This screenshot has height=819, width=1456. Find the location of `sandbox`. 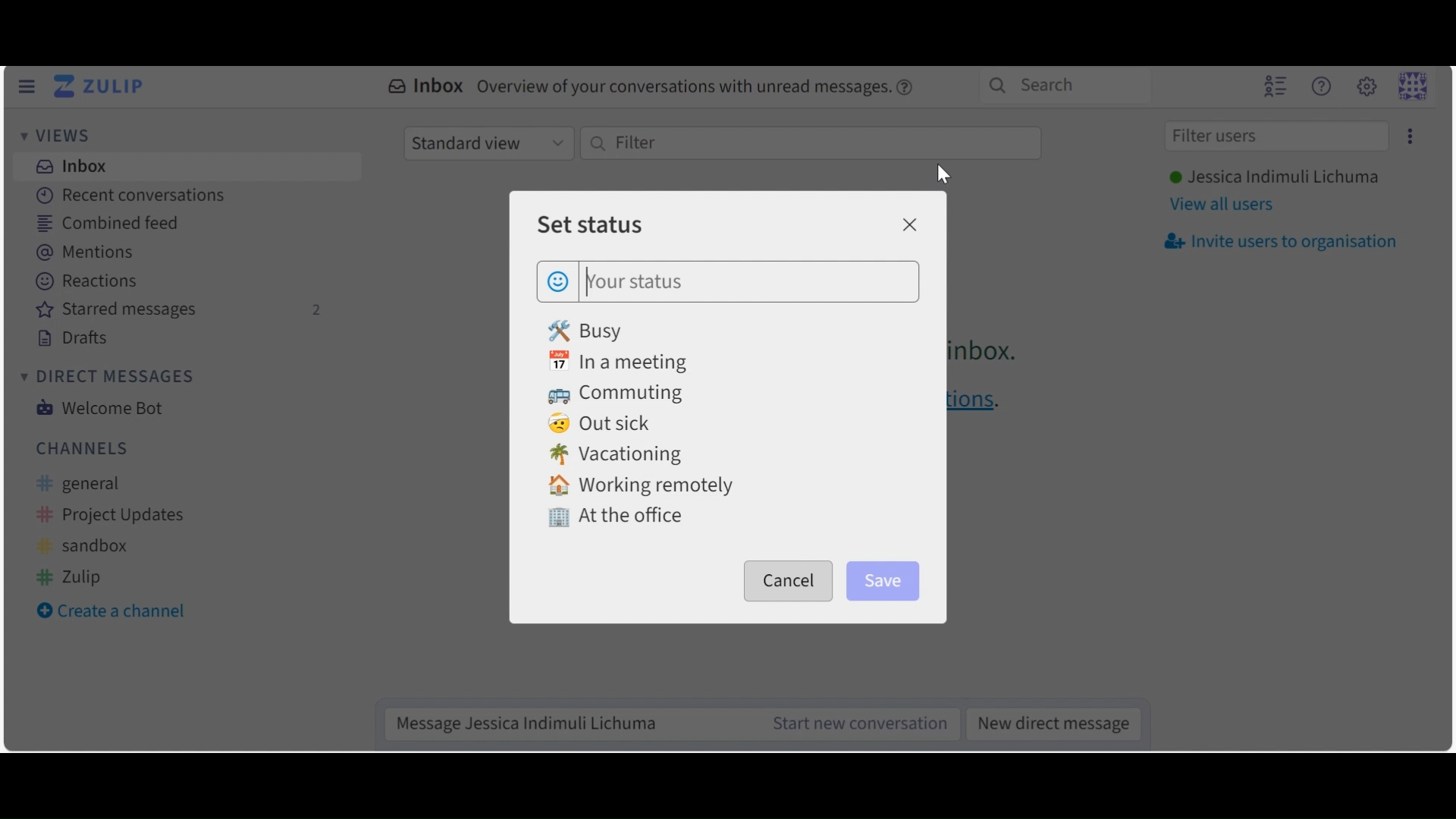

sandbox is located at coordinates (87, 547).